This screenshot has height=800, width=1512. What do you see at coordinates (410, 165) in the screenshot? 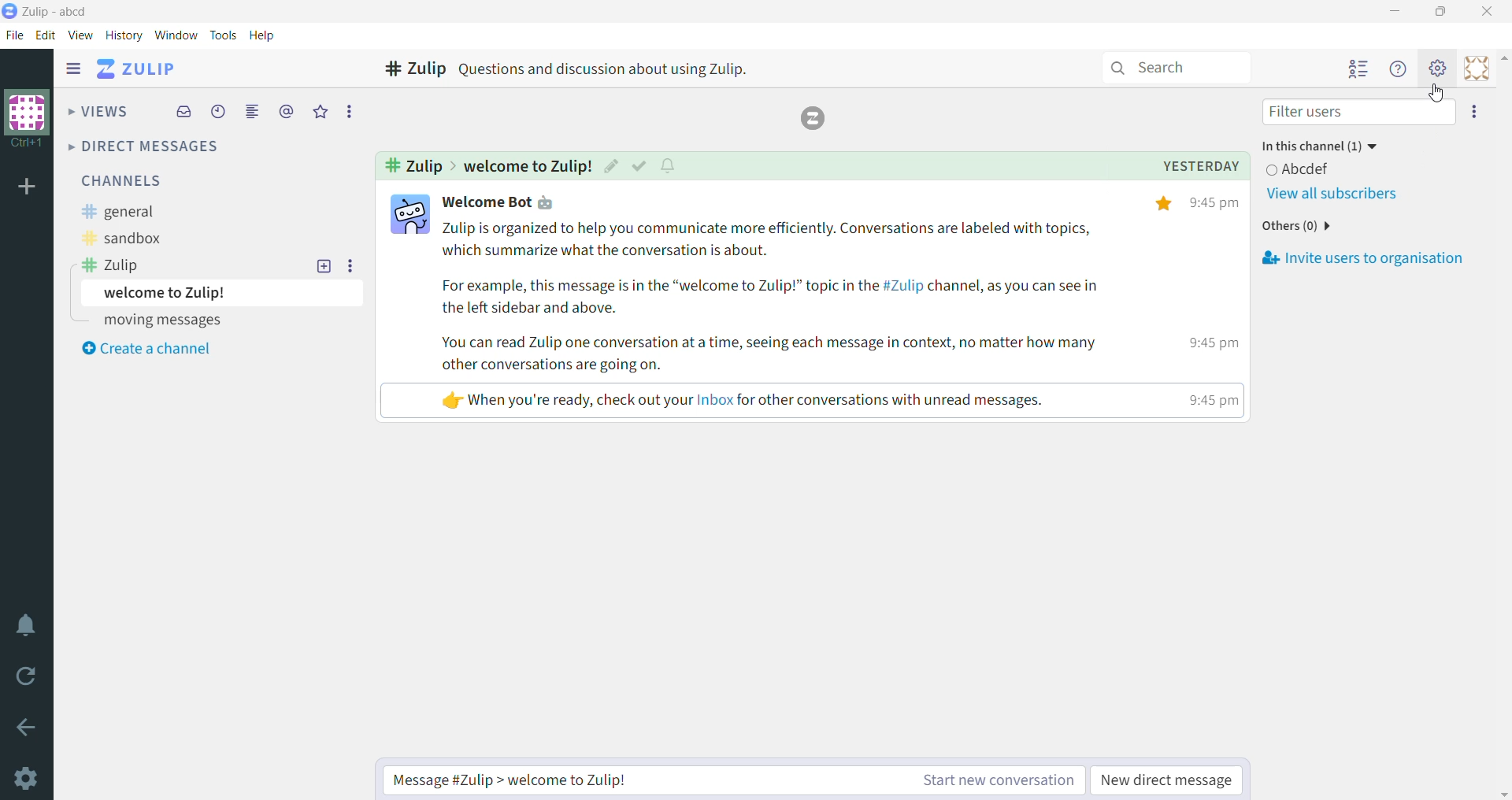
I see `Selected Channel` at bounding box center [410, 165].